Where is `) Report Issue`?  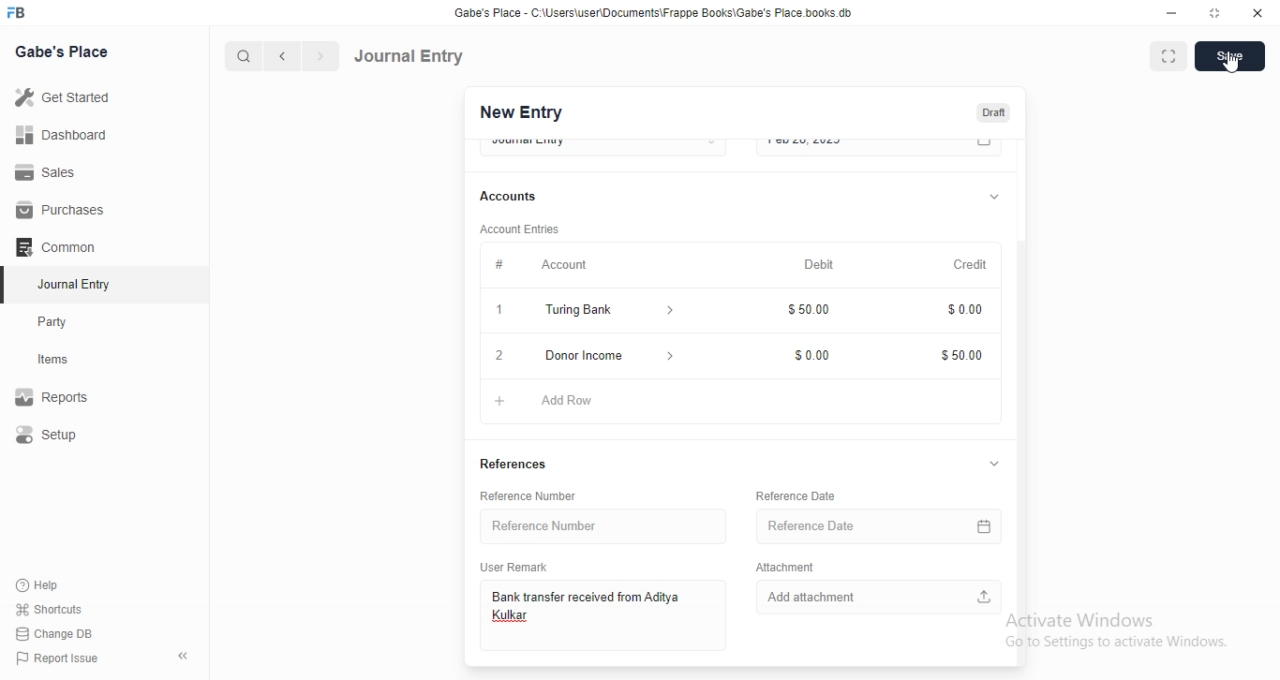 ) Report Issue is located at coordinates (59, 659).